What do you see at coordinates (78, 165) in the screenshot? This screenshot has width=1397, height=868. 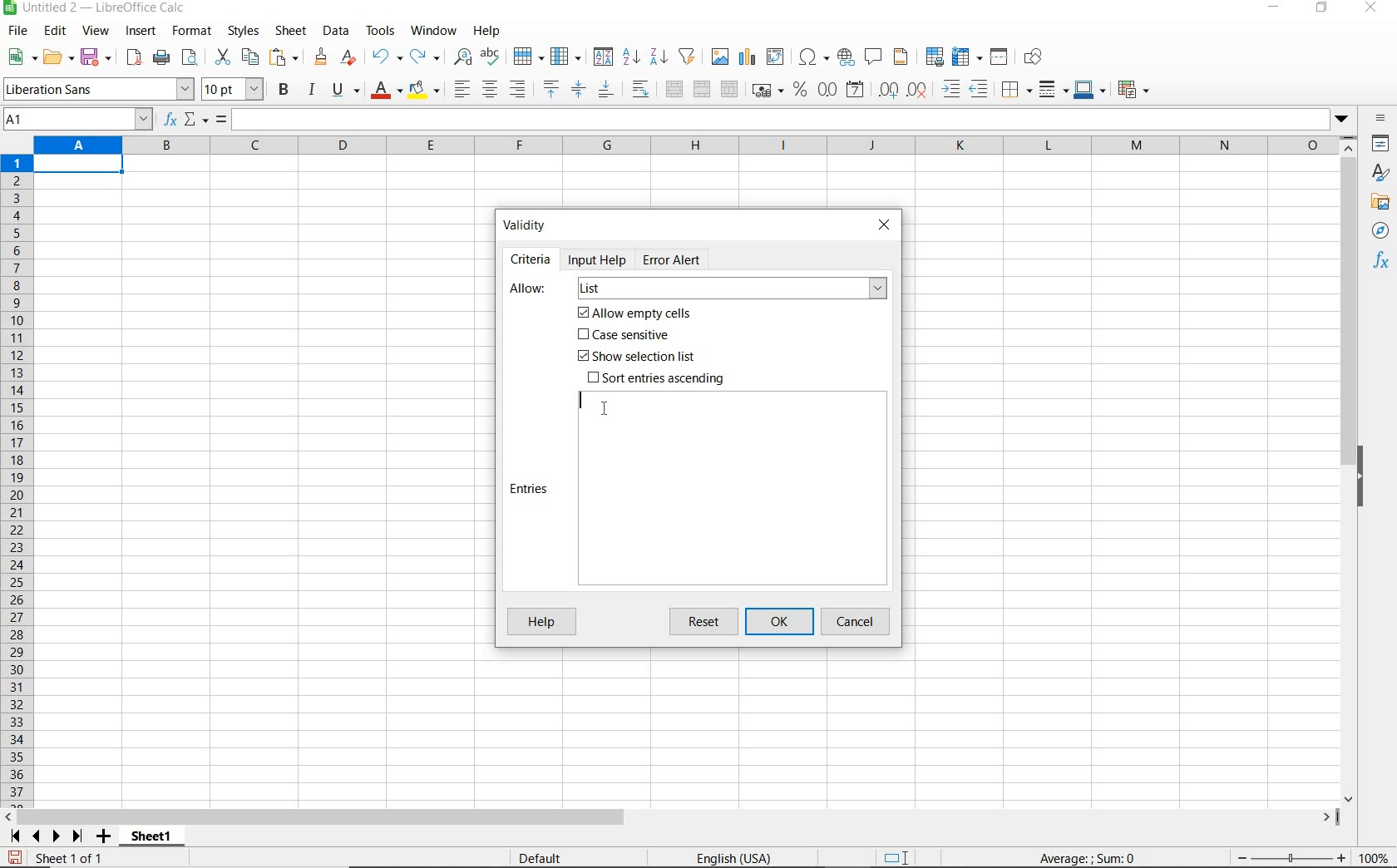 I see `Selected cell` at bounding box center [78, 165].